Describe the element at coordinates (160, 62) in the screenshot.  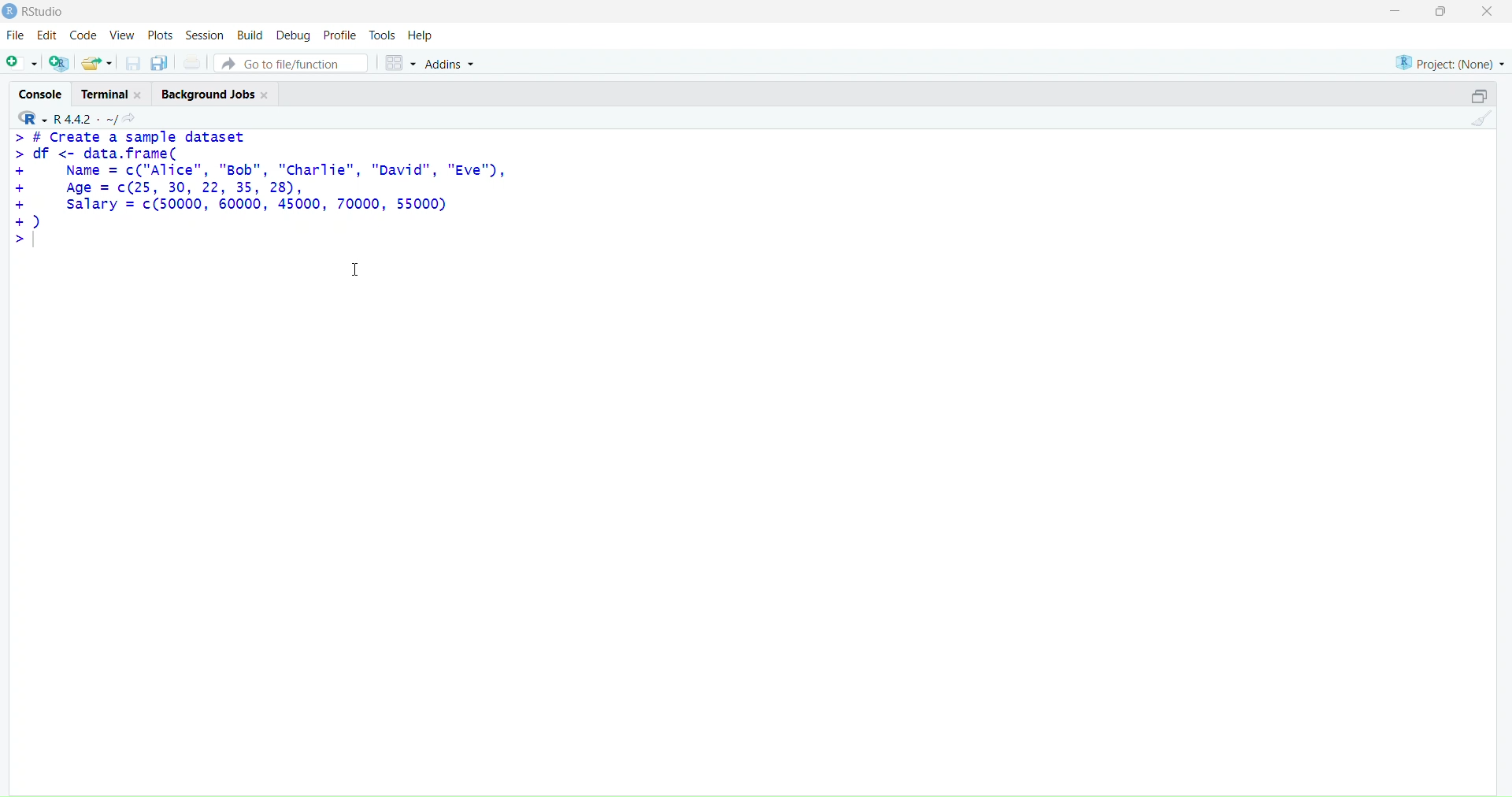
I see `save all open documents` at that location.